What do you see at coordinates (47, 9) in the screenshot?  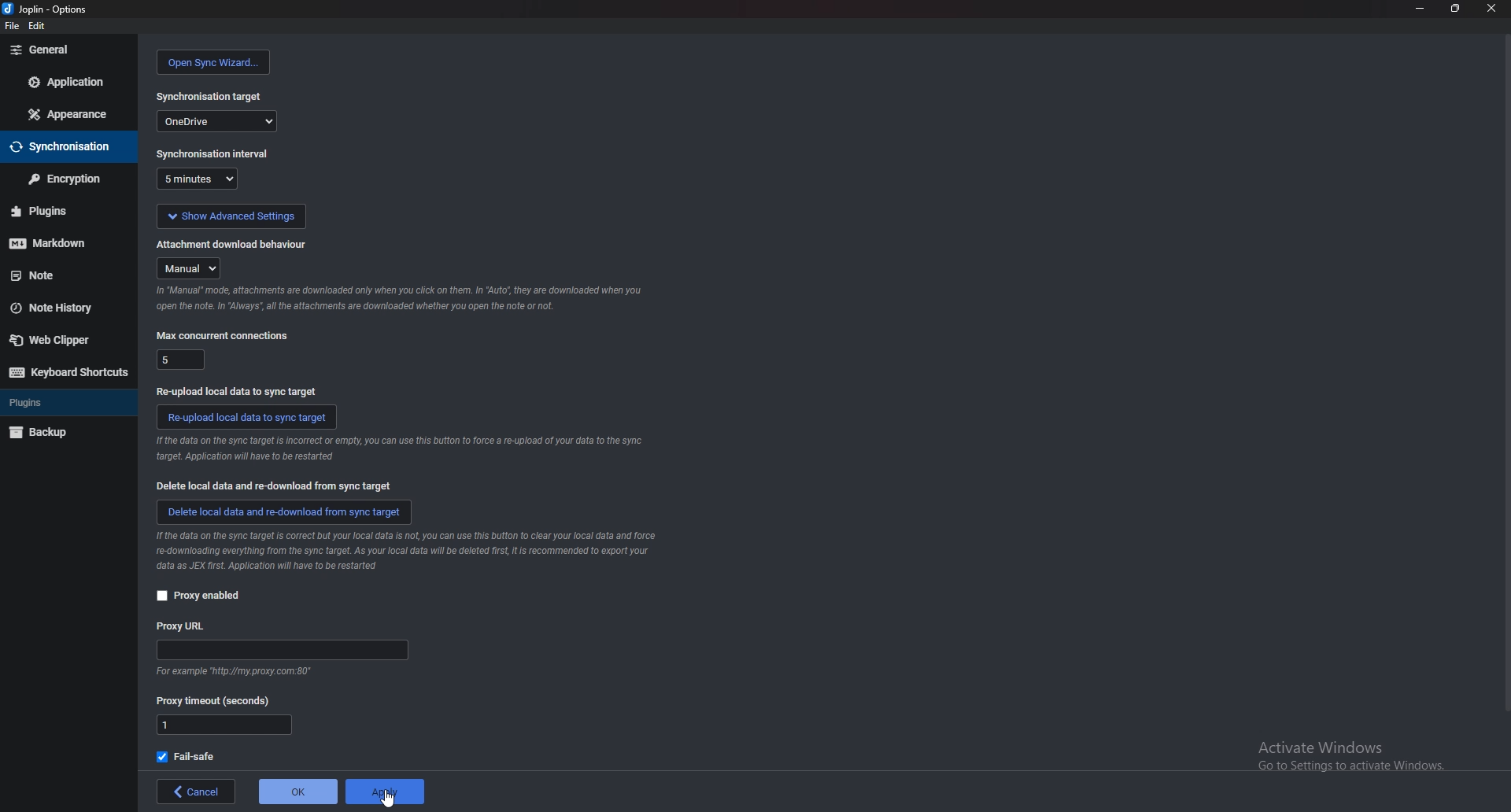 I see `options` at bounding box center [47, 9].